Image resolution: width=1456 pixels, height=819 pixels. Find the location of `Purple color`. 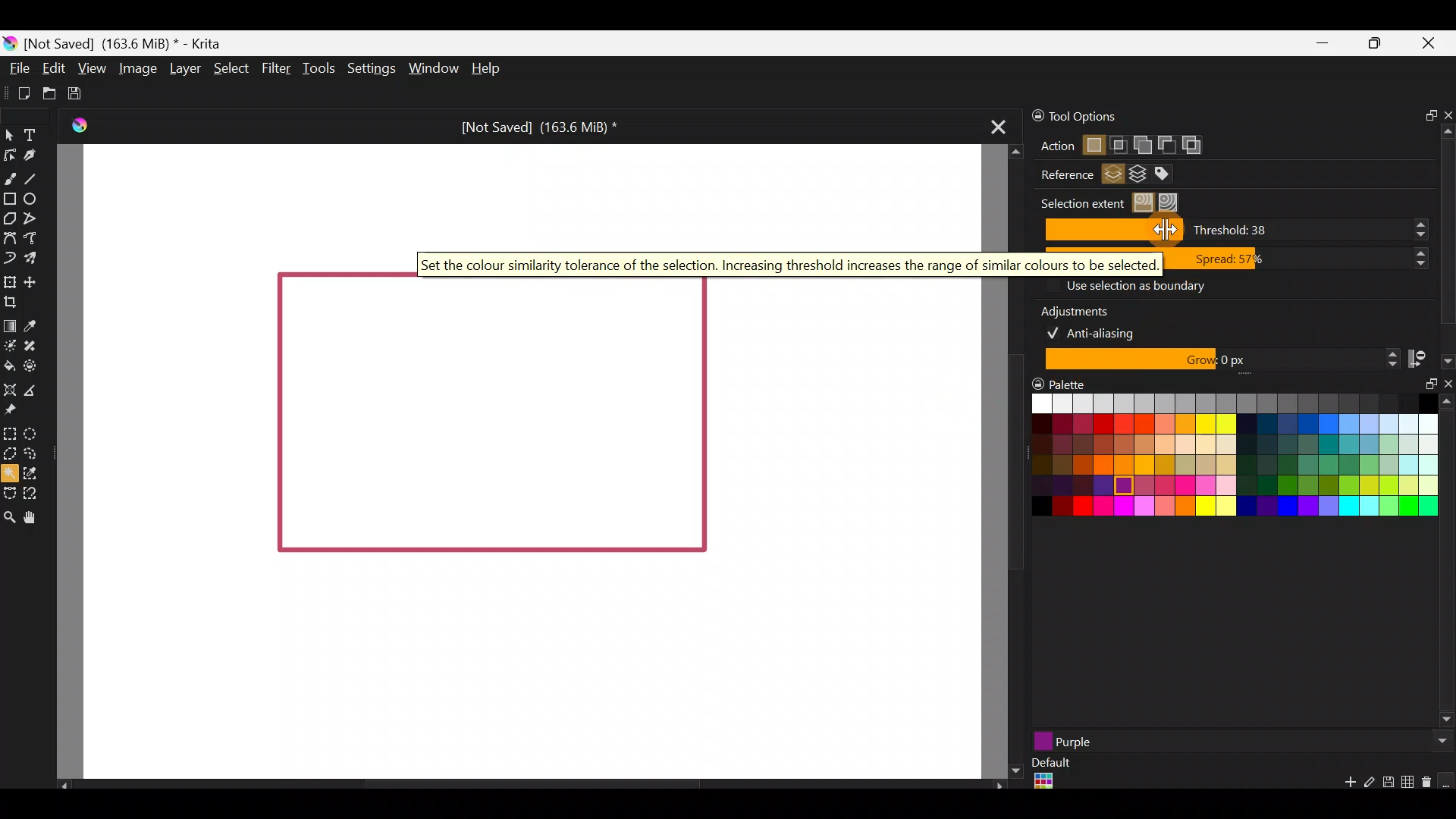

Purple color is located at coordinates (1159, 741).